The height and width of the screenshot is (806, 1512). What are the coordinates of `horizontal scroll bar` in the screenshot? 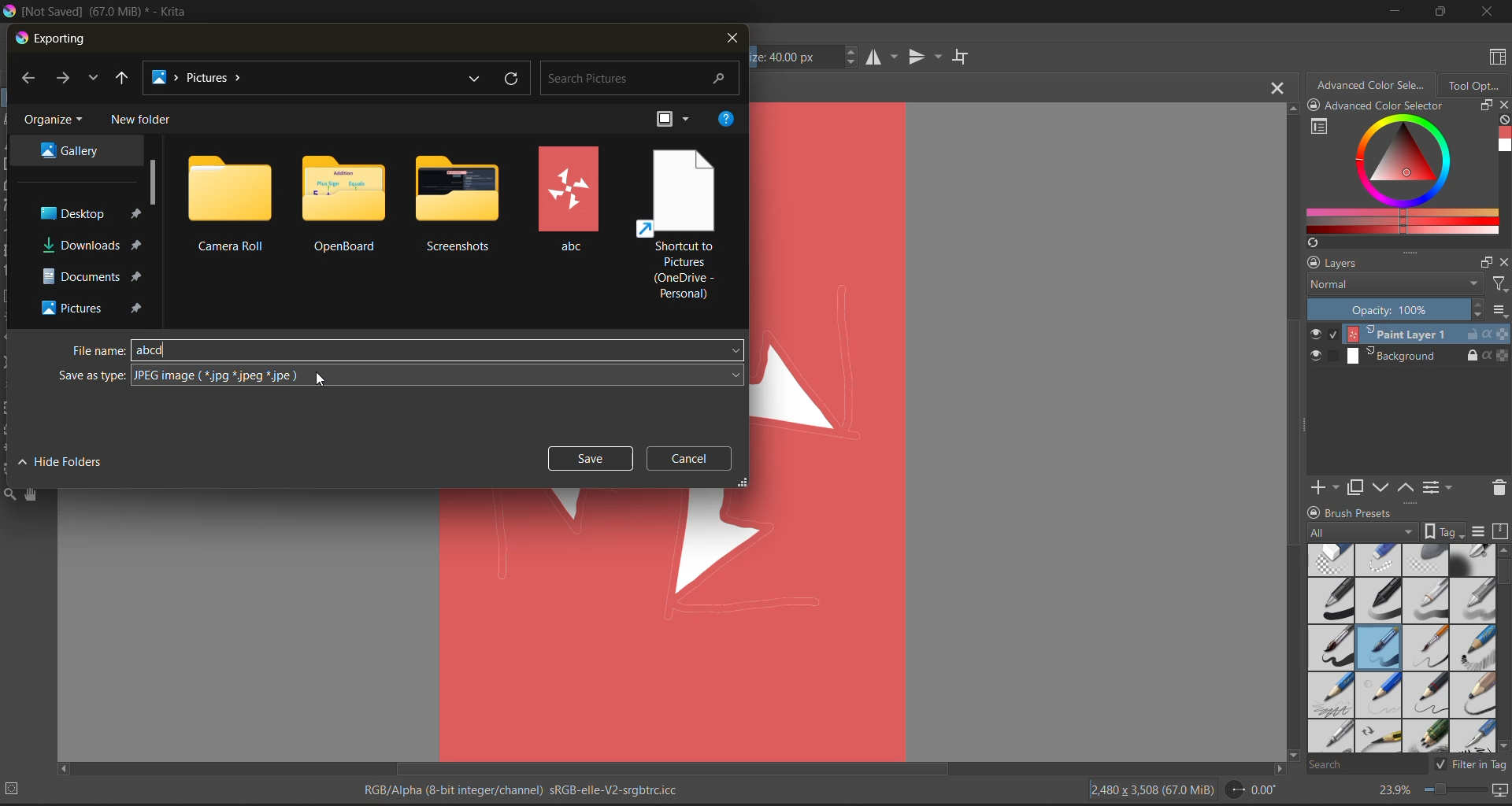 It's located at (676, 768).